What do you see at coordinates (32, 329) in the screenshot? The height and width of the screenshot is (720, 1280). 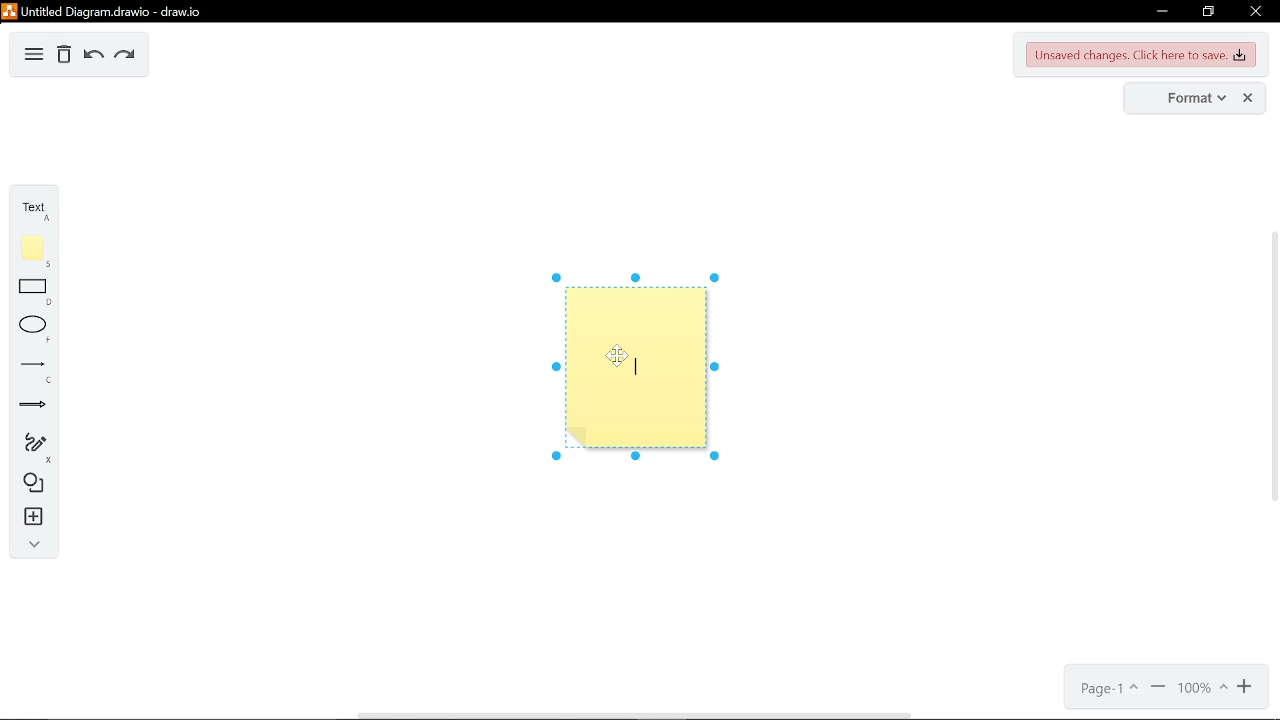 I see `ellipse` at bounding box center [32, 329].